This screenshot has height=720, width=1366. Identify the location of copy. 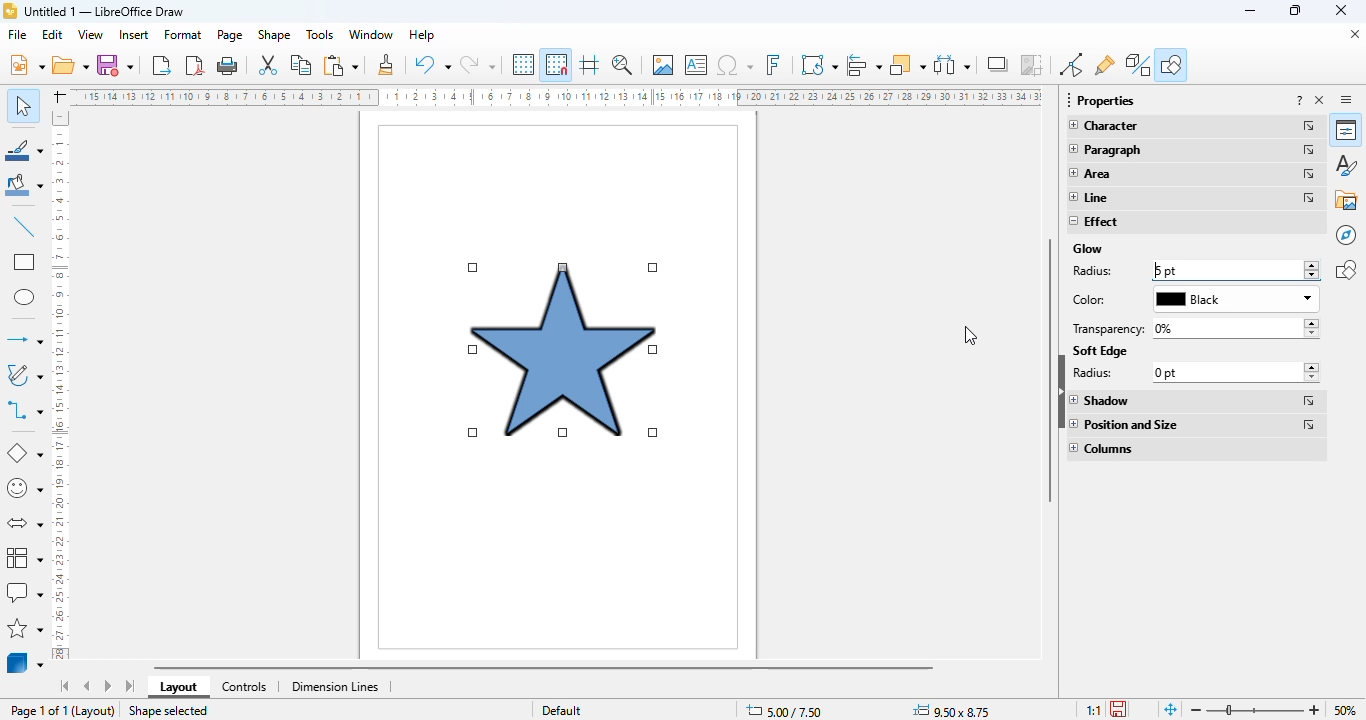
(302, 65).